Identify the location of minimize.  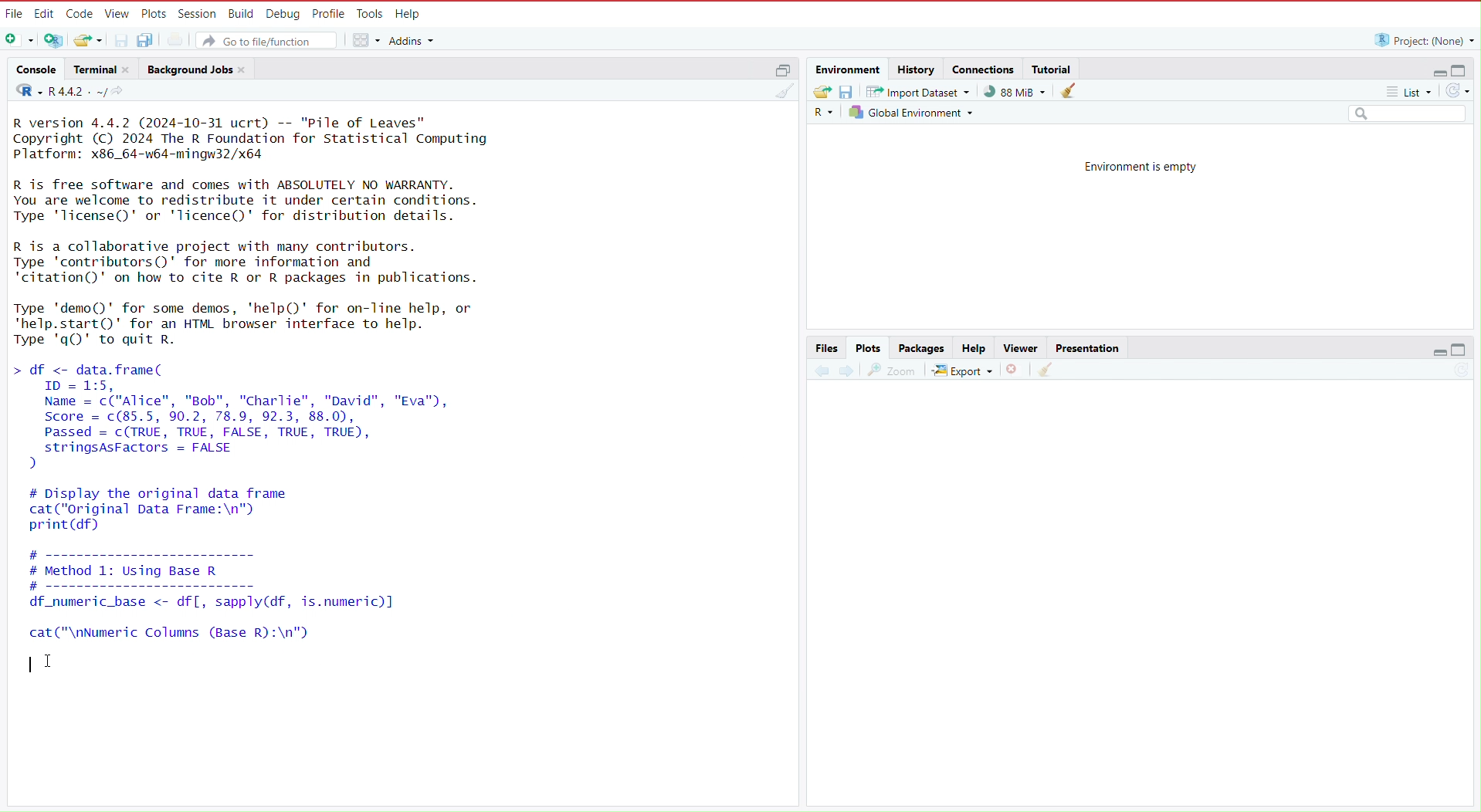
(1435, 69).